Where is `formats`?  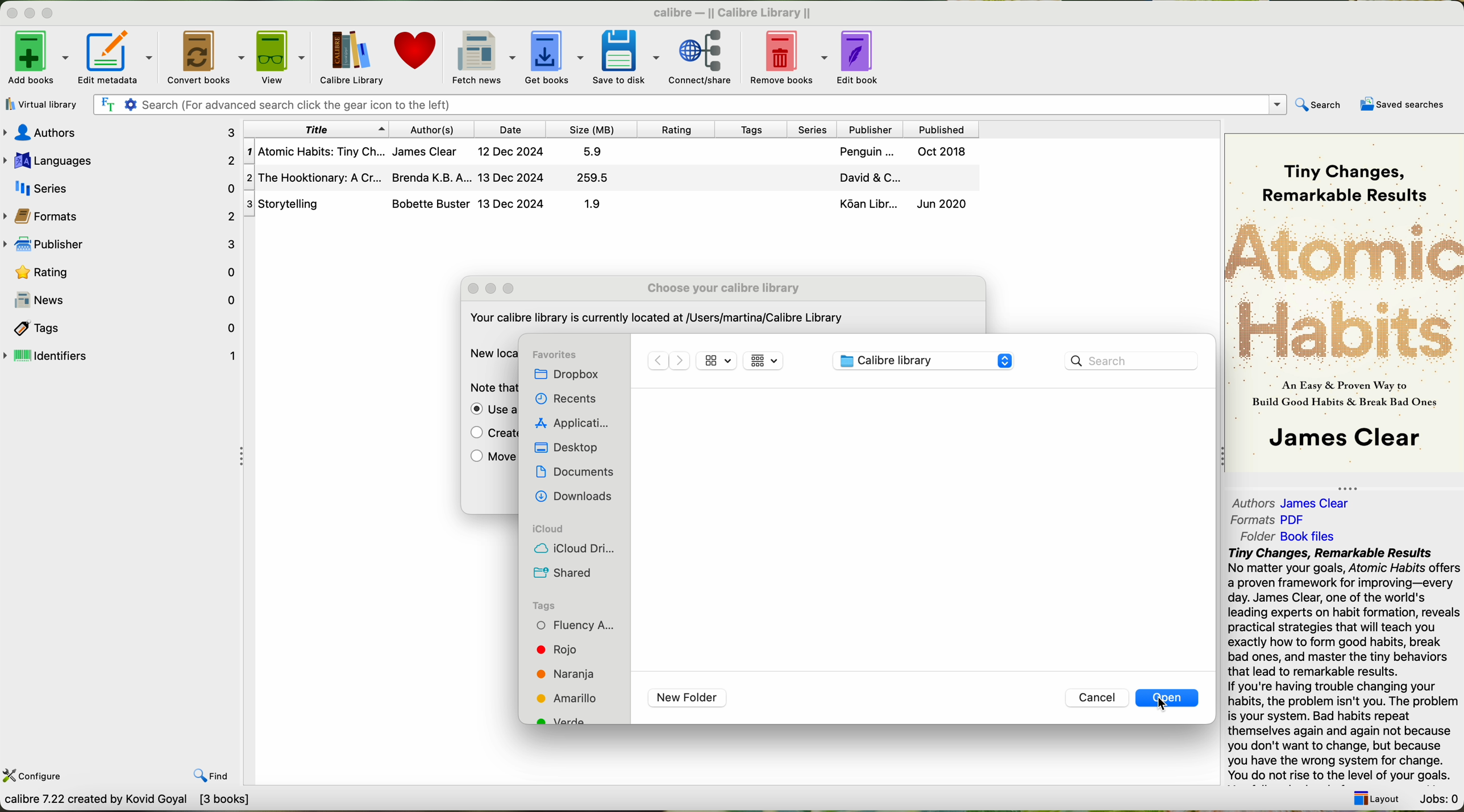
formats is located at coordinates (122, 216).